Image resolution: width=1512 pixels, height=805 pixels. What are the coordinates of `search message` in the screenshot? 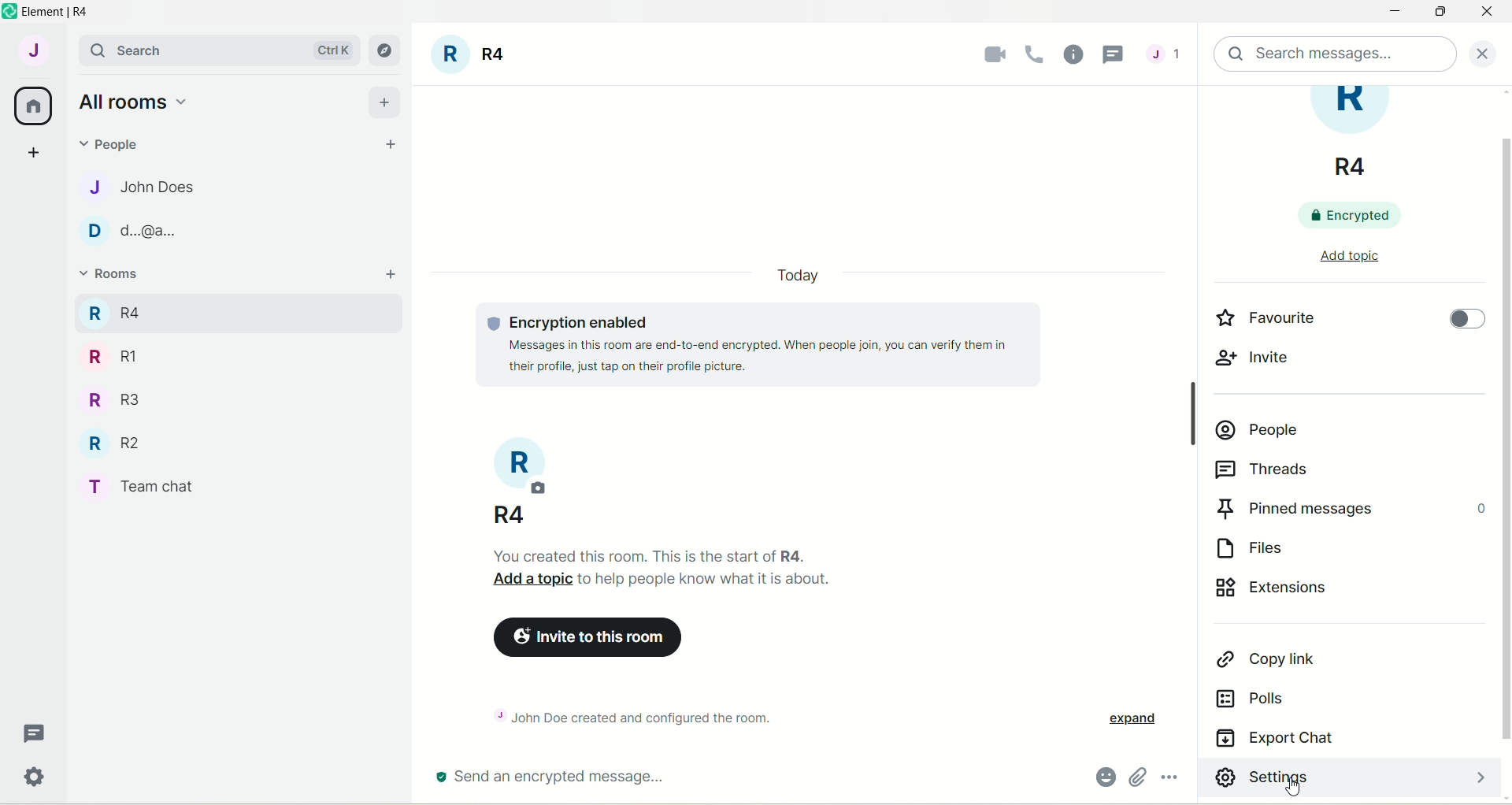 It's located at (1336, 54).